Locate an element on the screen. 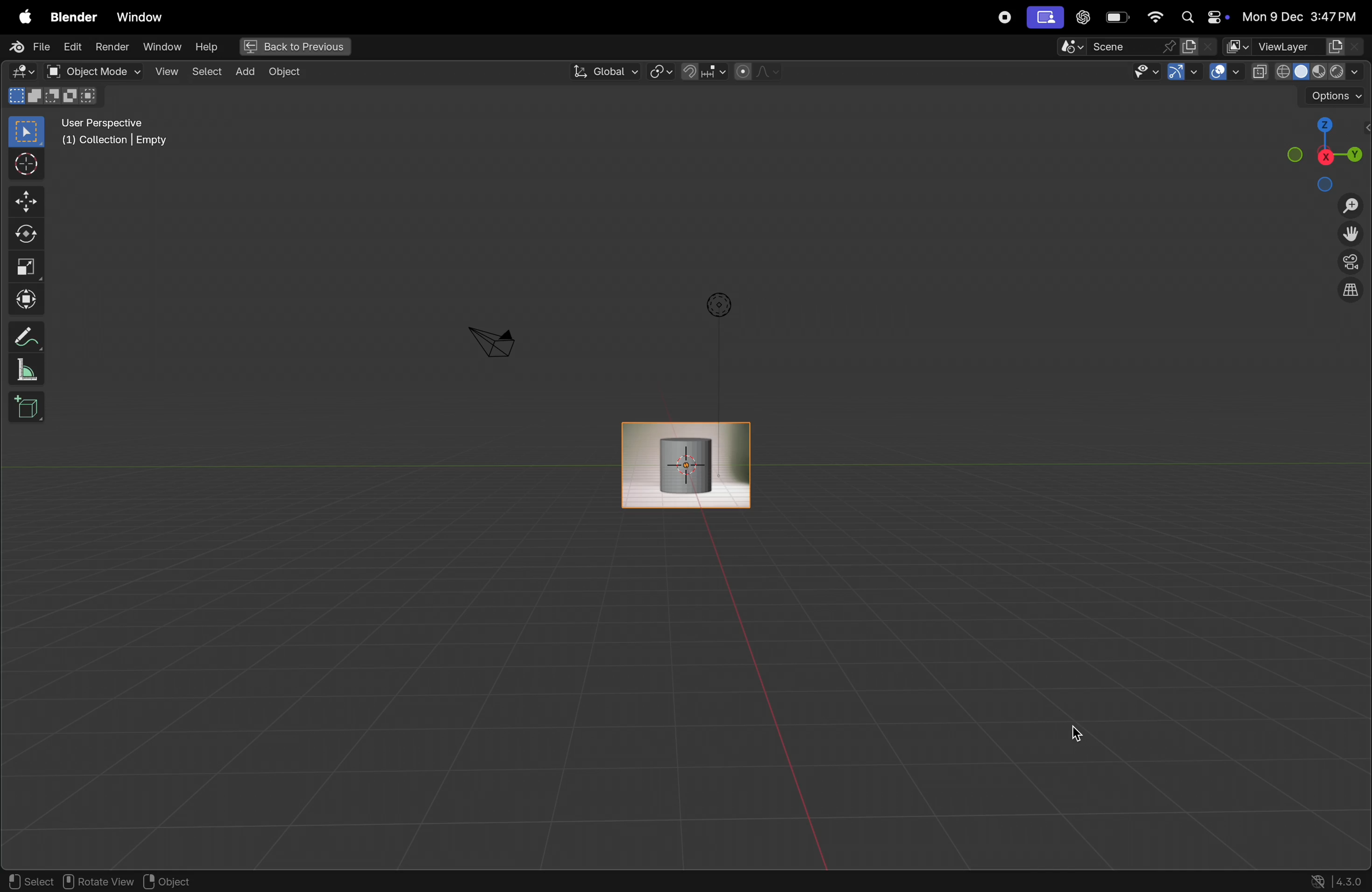 This screenshot has height=892, width=1372. Windows is located at coordinates (140, 14).